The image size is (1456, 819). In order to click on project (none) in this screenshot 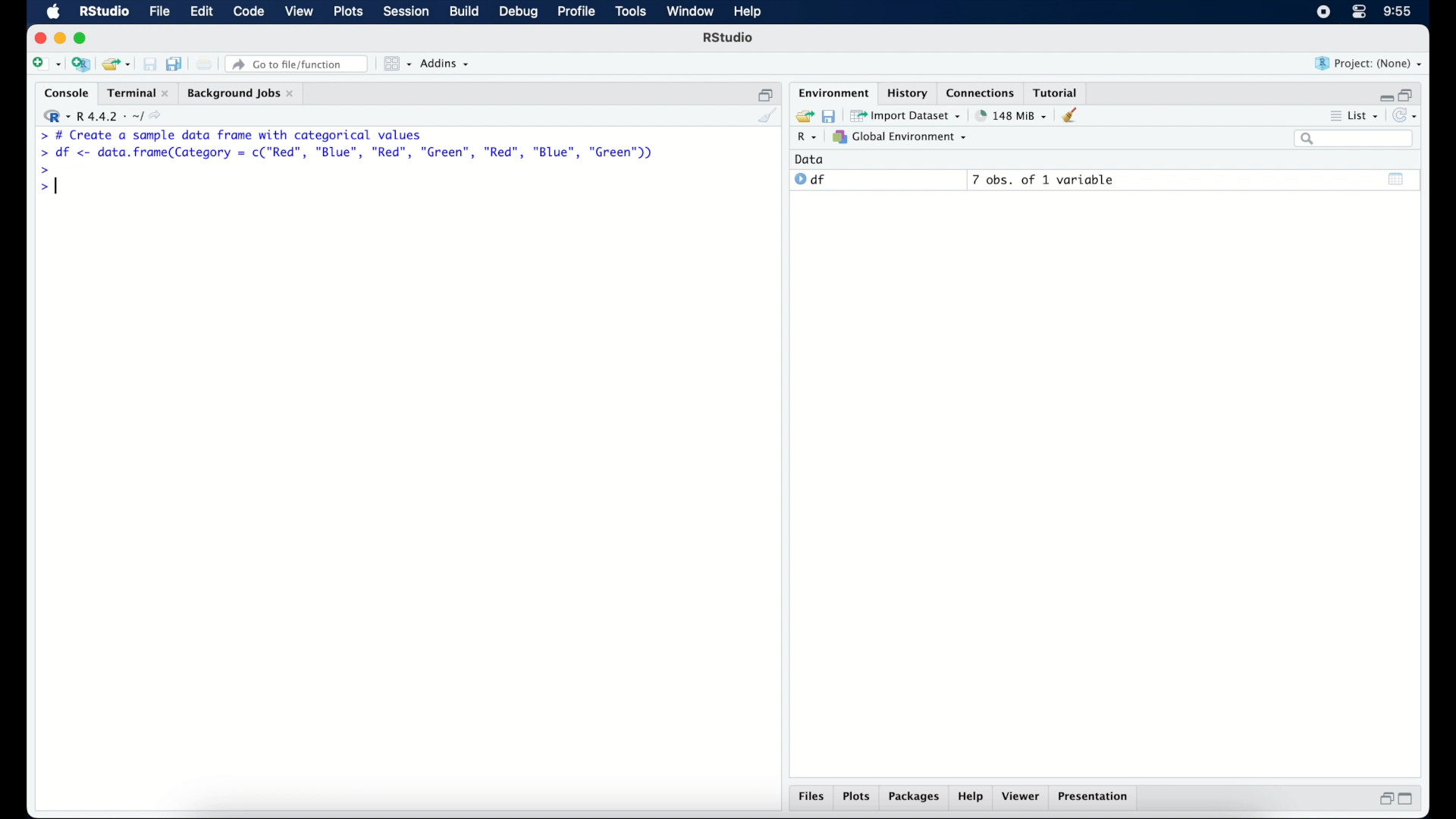, I will do `click(1369, 63)`.